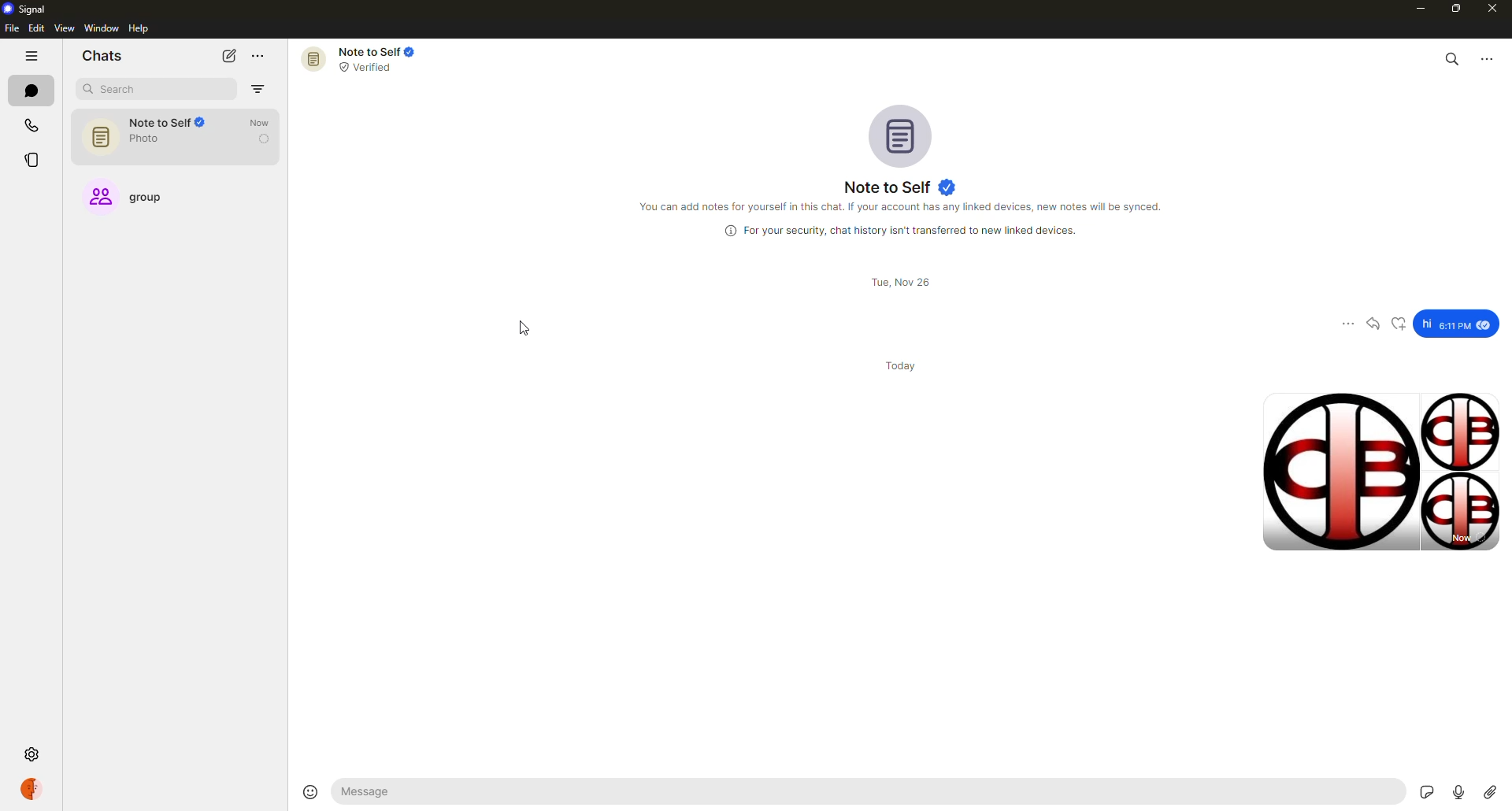 This screenshot has width=1512, height=811. I want to click on calls, so click(27, 124).